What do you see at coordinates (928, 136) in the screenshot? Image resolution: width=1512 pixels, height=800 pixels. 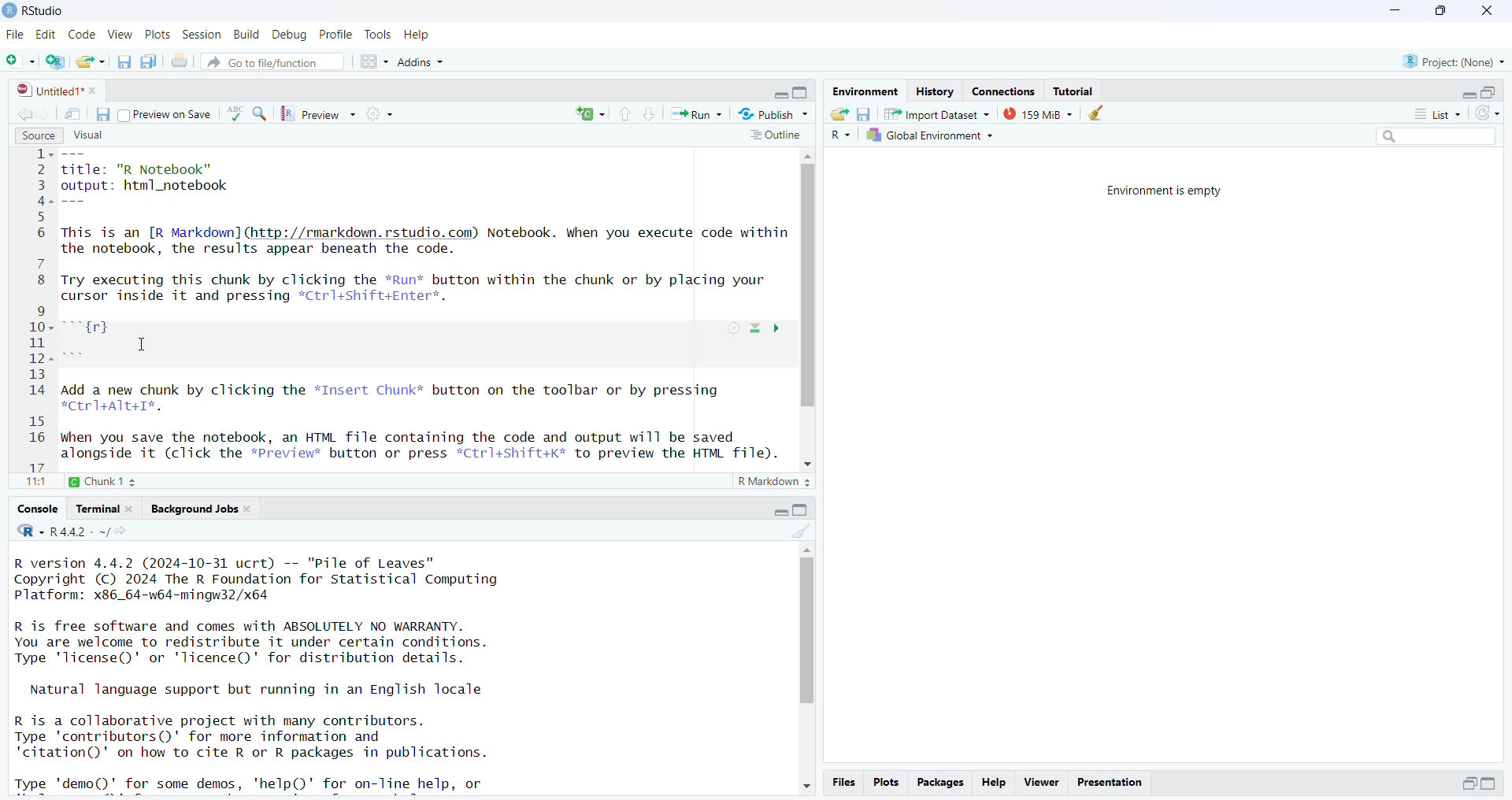 I see `global environment` at bounding box center [928, 136].